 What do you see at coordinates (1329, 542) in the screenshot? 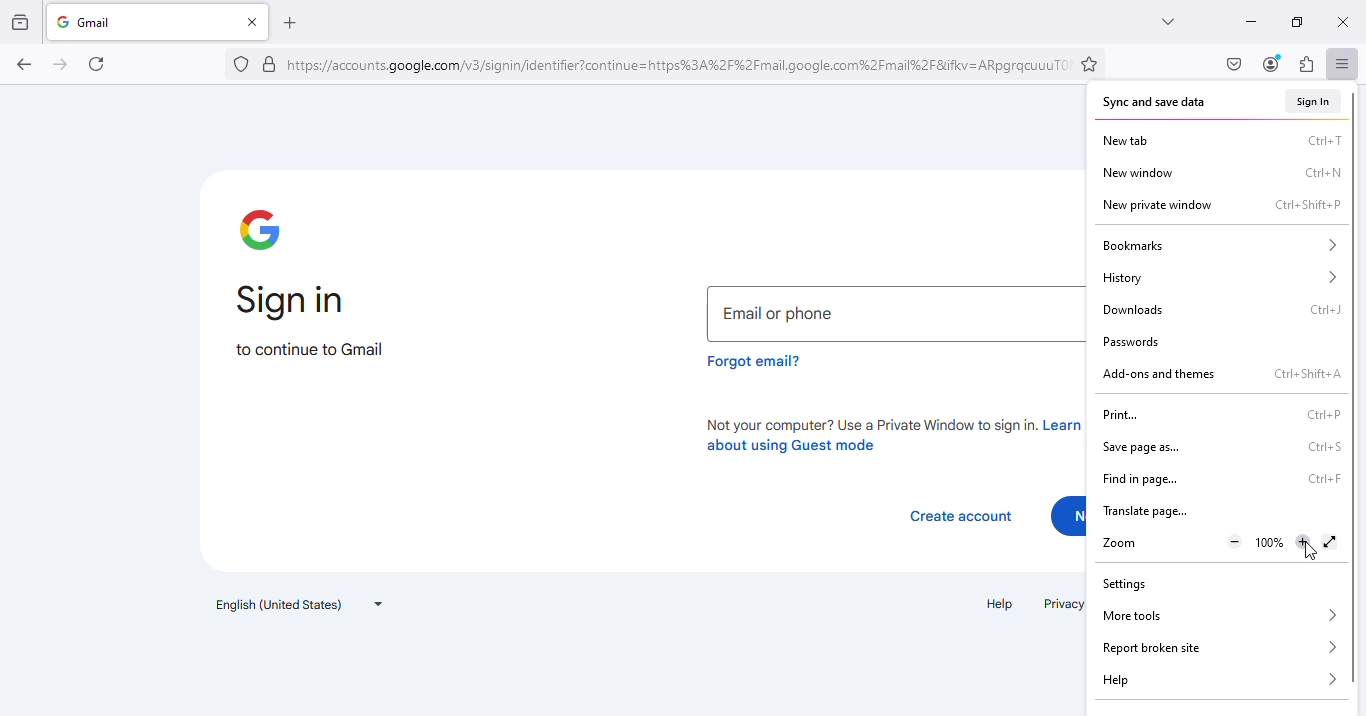
I see `display the window in full screen` at bounding box center [1329, 542].